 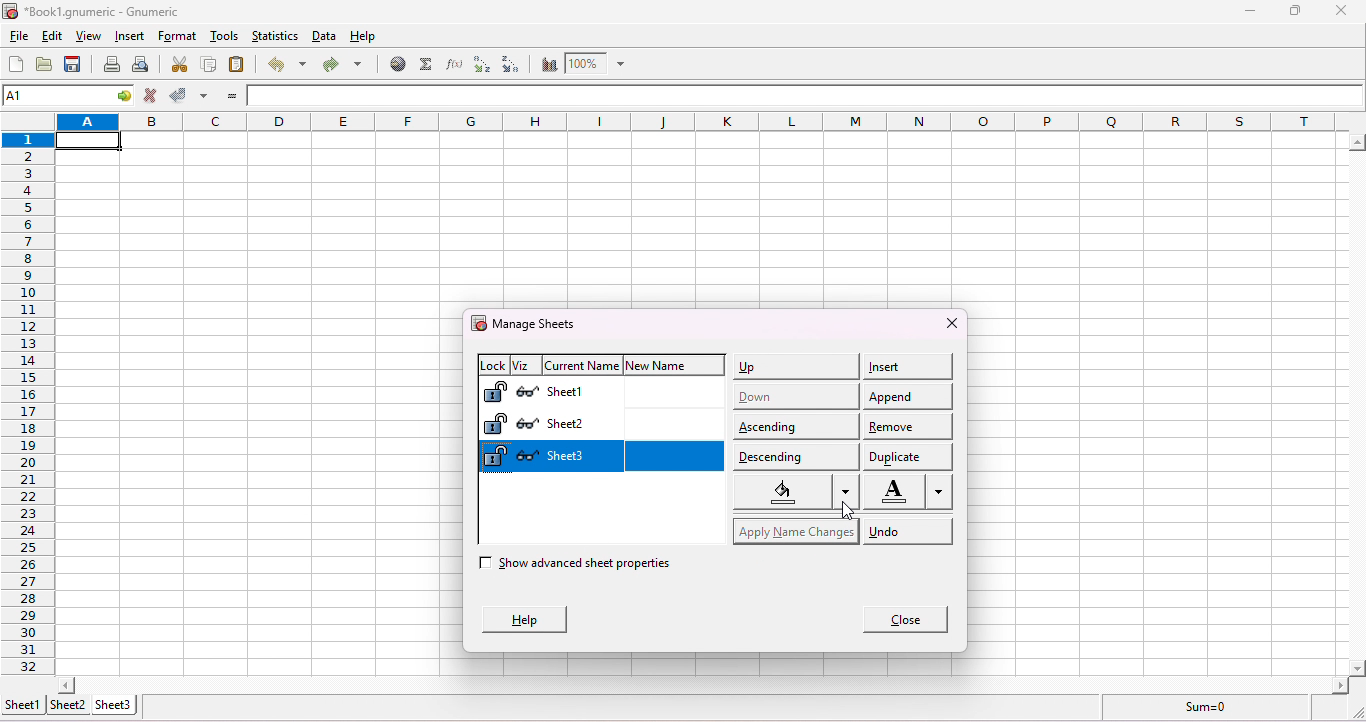 I want to click on Font color, so click(x=911, y=493).